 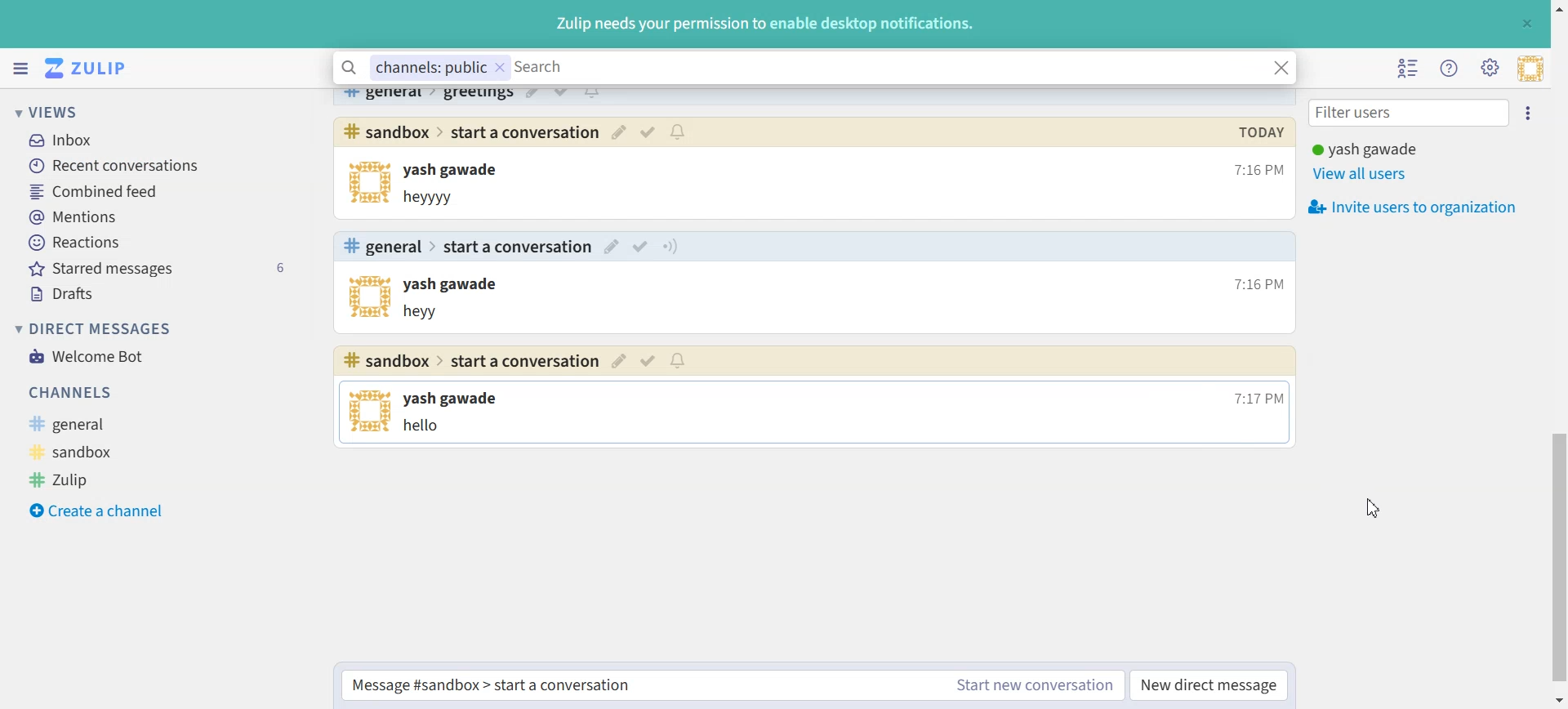 What do you see at coordinates (162, 192) in the screenshot?
I see `Combined feed` at bounding box center [162, 192].